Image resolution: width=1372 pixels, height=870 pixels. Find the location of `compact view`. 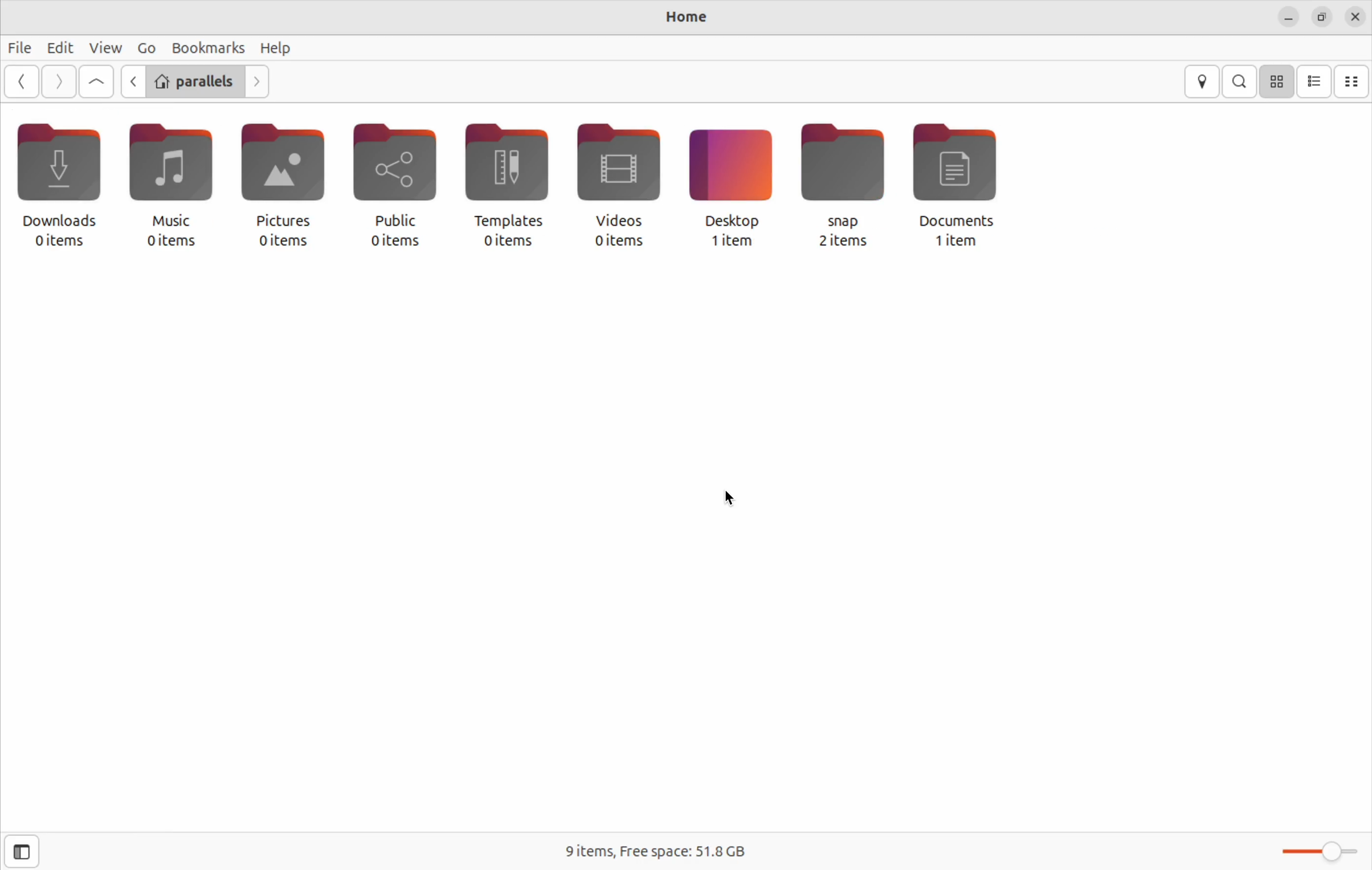

compact view is located at coordinates (1353, 81).